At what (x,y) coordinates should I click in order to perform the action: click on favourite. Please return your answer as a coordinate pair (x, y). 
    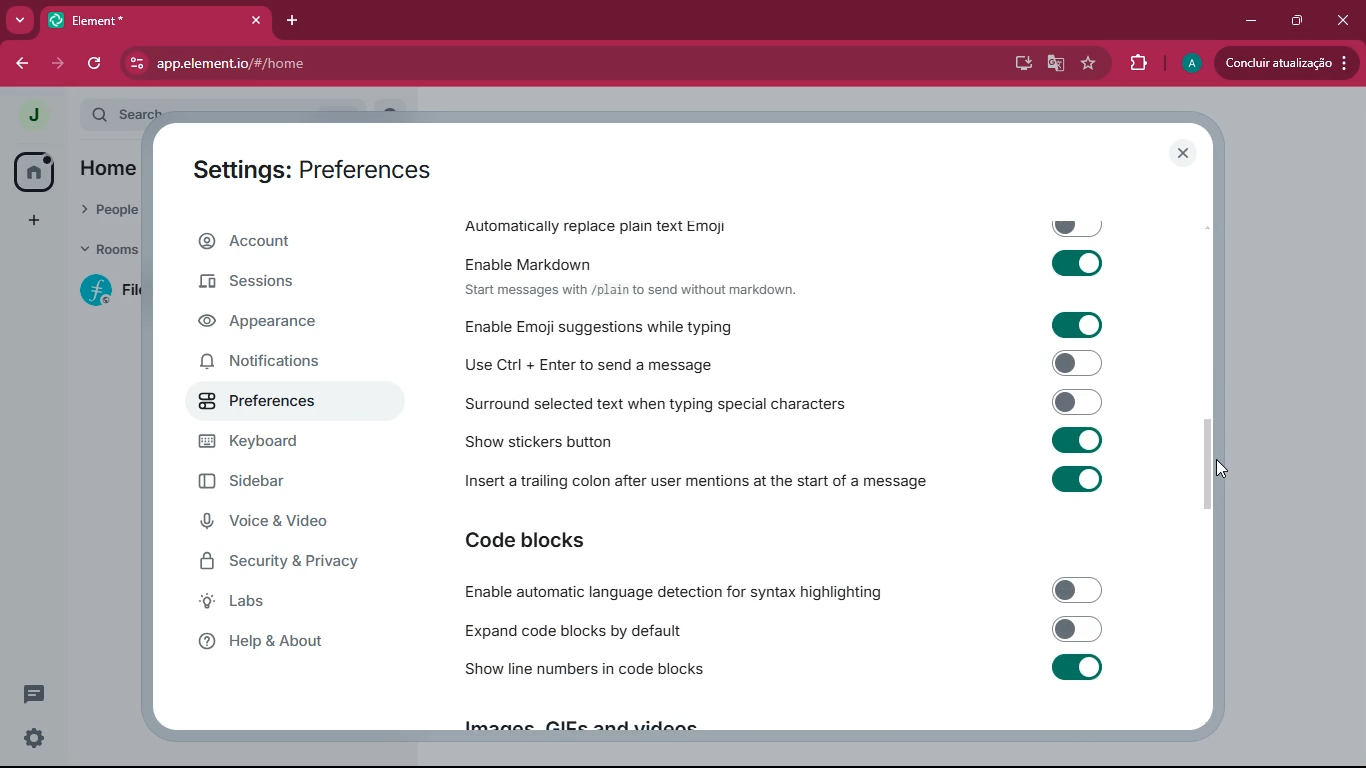
    Looking at the image, I should click on (1088, 63).